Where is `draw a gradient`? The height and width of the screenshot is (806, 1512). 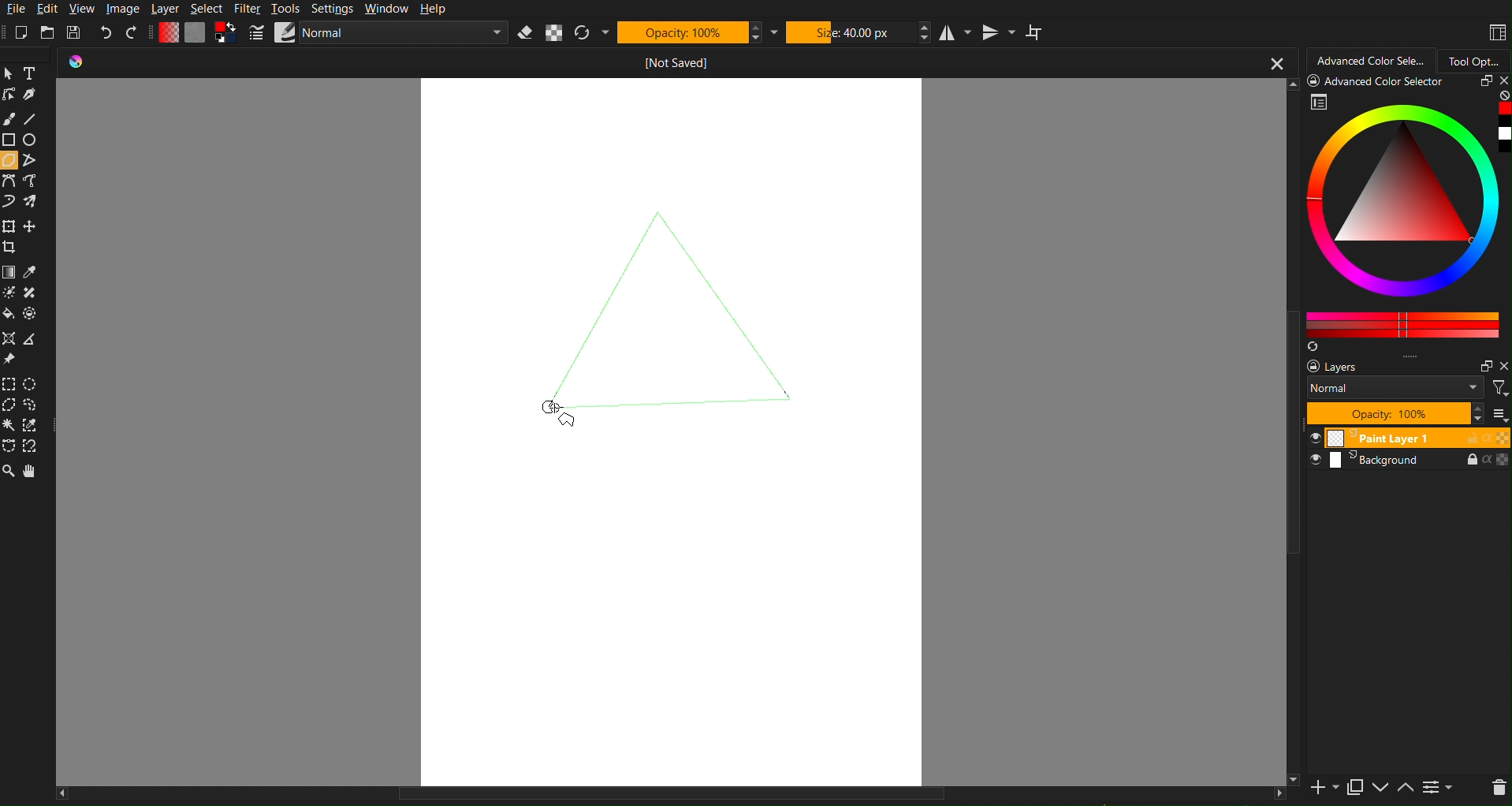 draw a gradient is located at coordinates (9, 271).